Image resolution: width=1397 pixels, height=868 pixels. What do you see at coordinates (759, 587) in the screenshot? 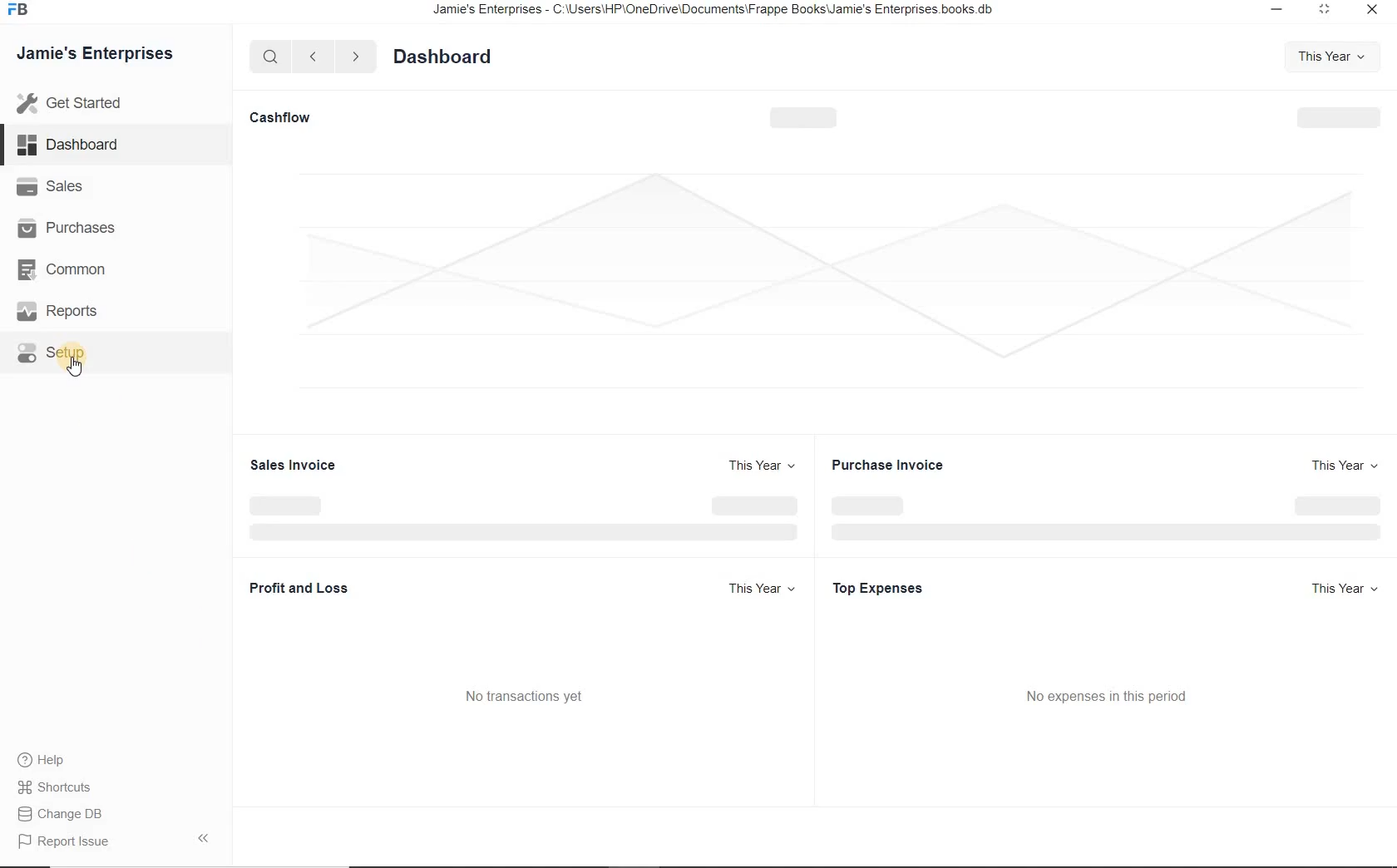
I see `This Year ` at bounding box center [759, 587].